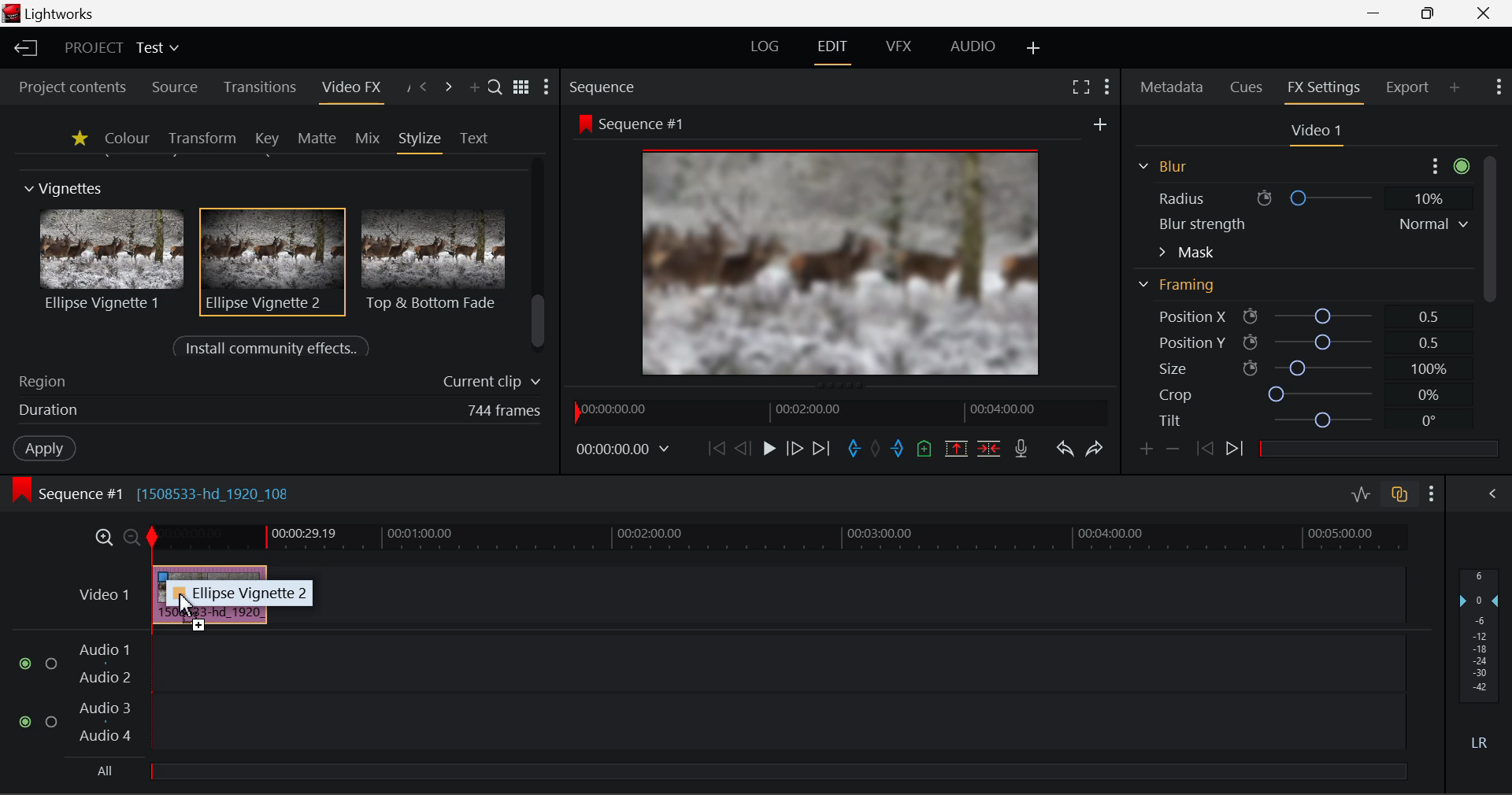  What do you see at coordinates (1311, 224) in the screenshot?
I see `Blur strength Normal v` at bounding box center [1311, 224].